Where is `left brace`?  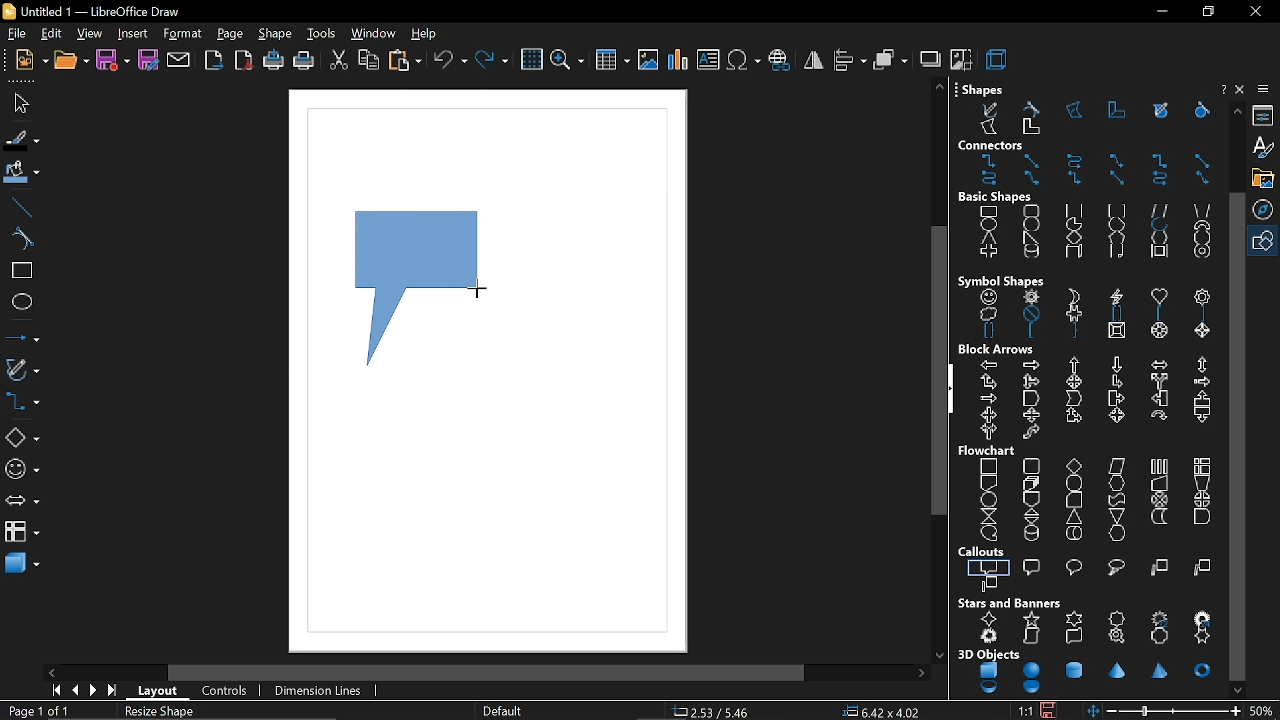
left brace is located at coordinates (1030, 331).